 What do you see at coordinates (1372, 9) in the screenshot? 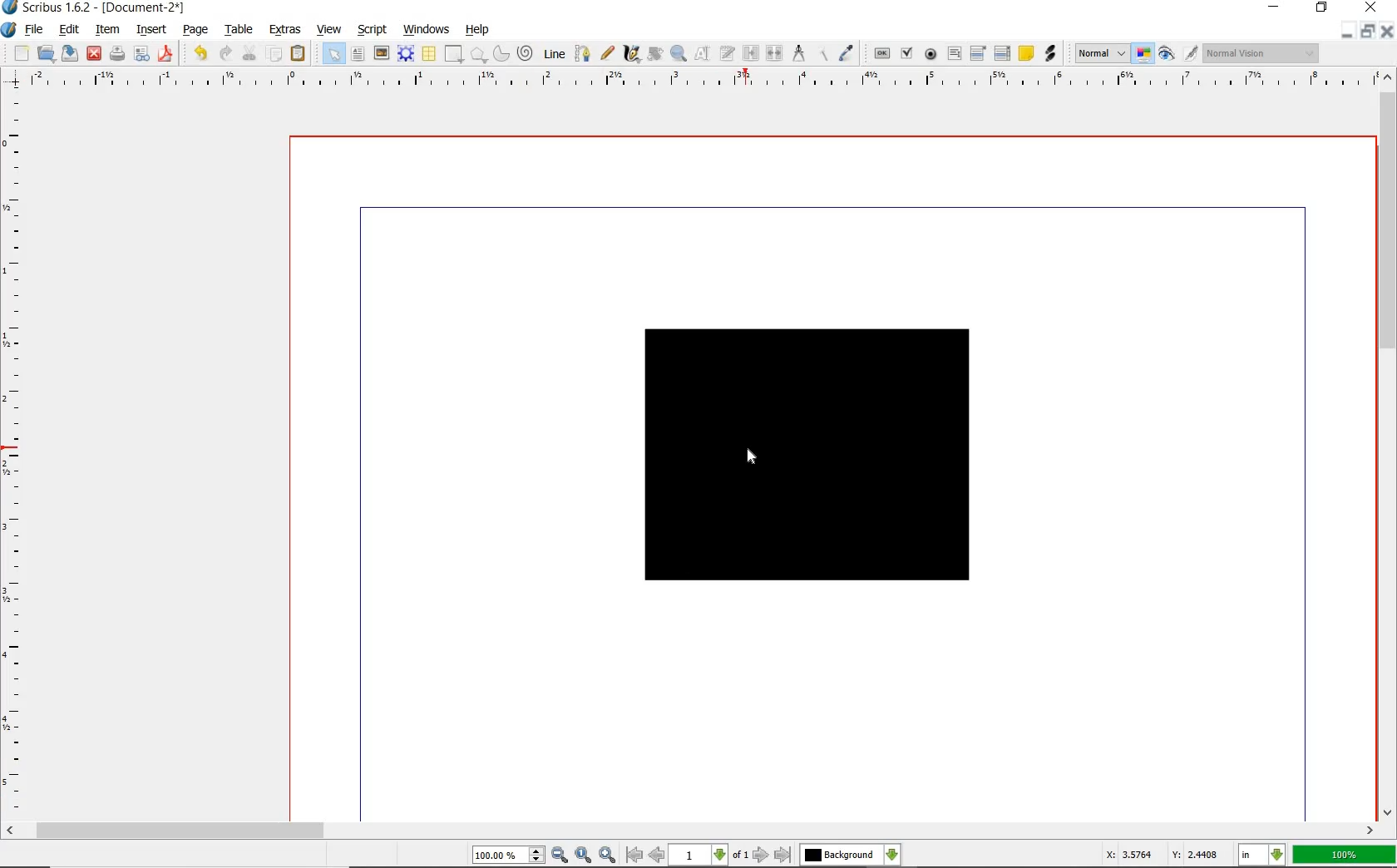
I see `CLOSE` at bounding box center [1372, 9].